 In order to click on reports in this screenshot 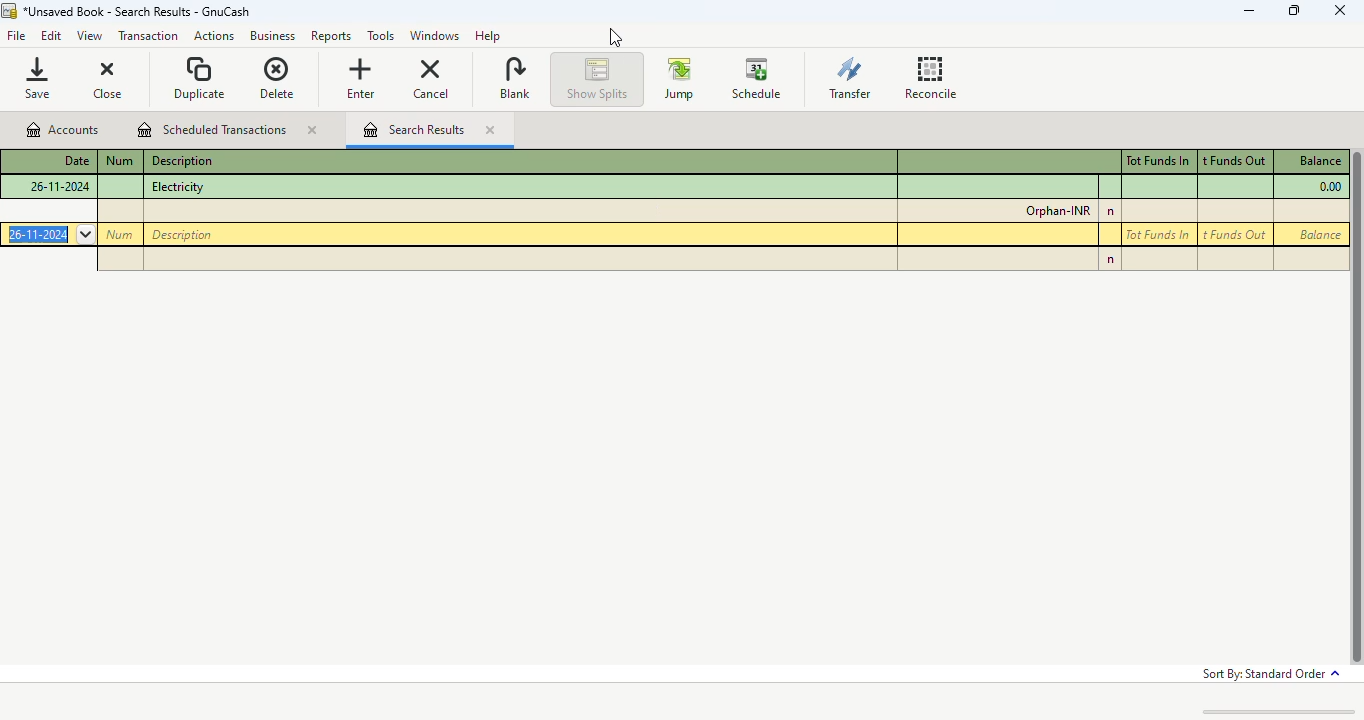, I will do `click(326, 37)`.